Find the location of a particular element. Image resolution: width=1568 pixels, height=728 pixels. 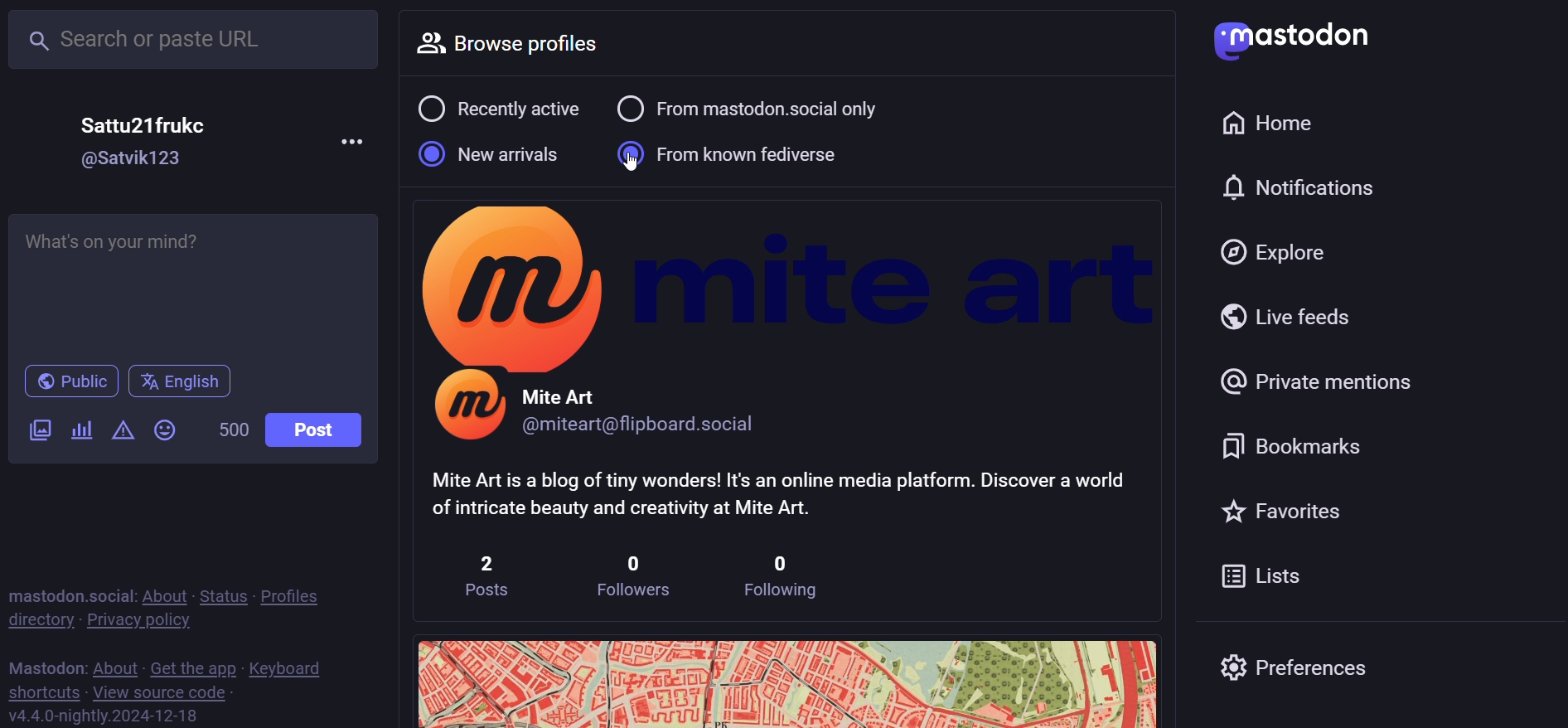

post is located at coordinates (321, 434).